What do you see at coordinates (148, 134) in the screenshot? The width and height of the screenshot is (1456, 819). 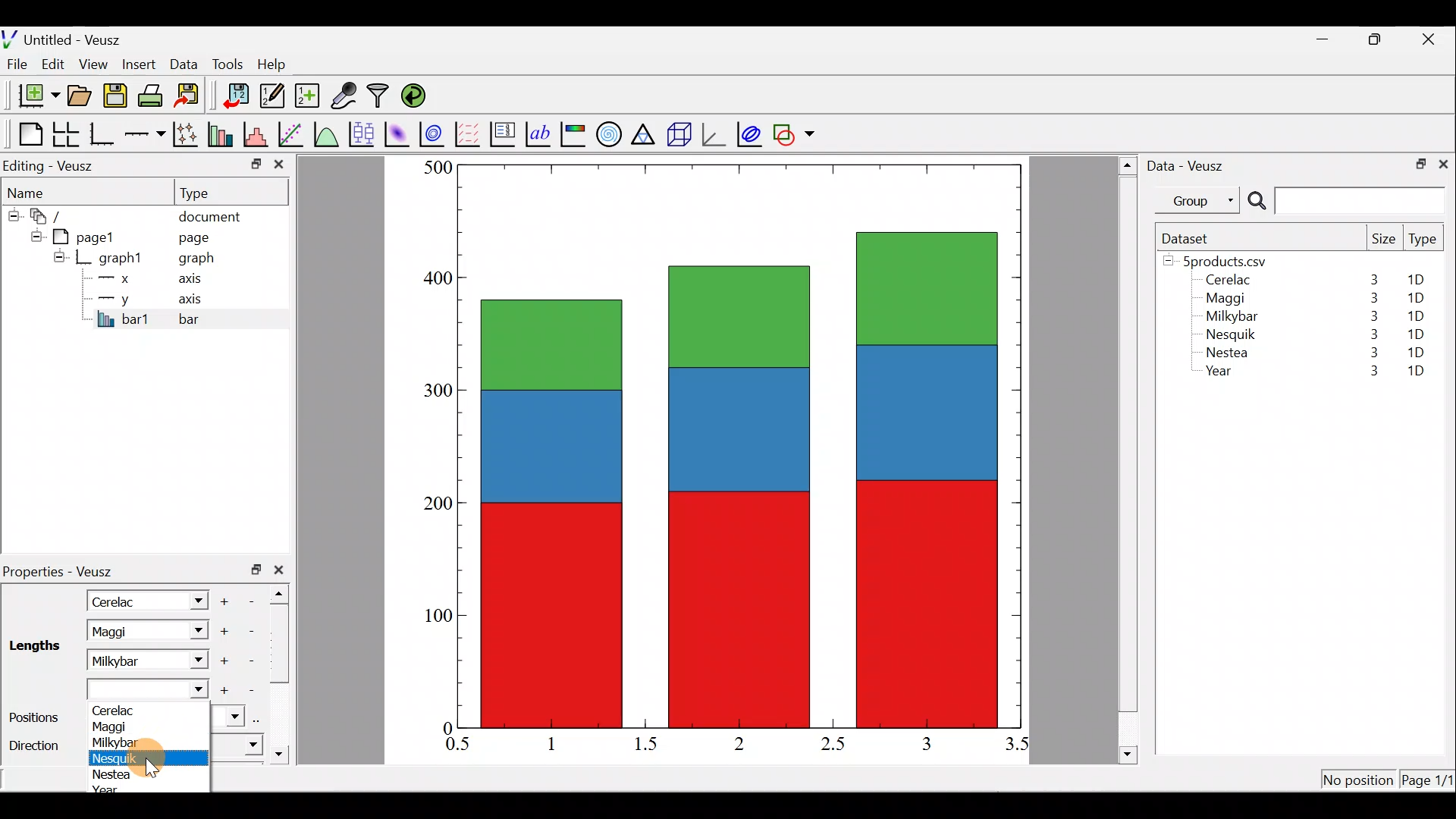 I see `Add an axis to the plot` at bounding box center [148, 134].